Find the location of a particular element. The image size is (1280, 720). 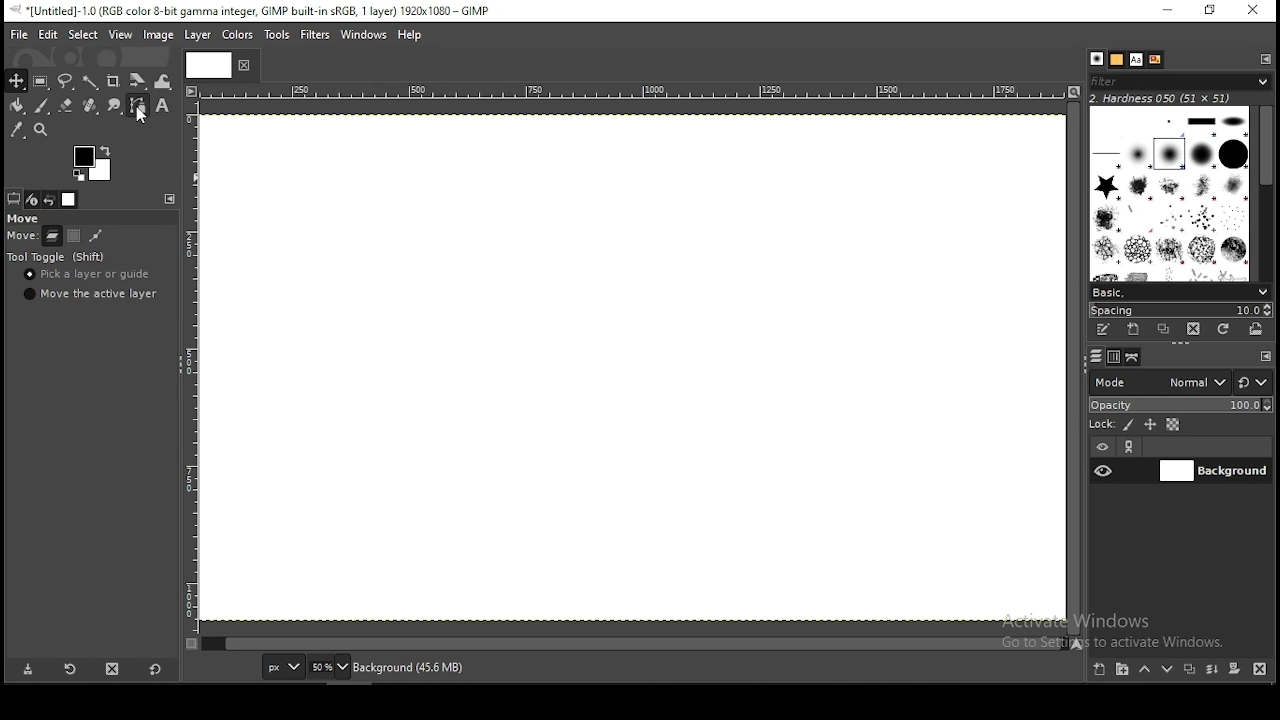

heal tool is located at coordinates (91, 107).